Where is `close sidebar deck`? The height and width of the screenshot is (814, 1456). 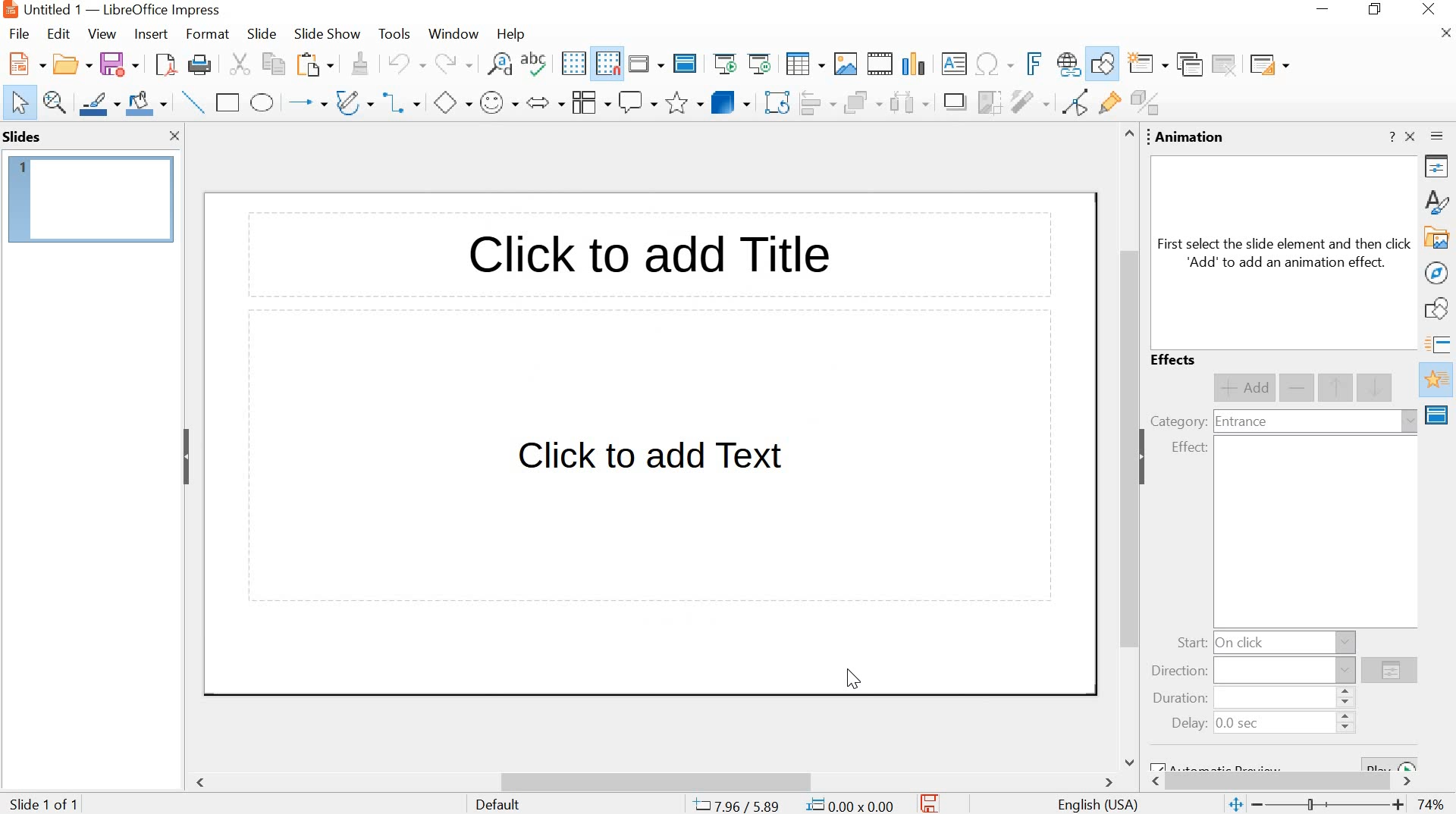
close sidebar deck is located at coordinates (1411, 136).